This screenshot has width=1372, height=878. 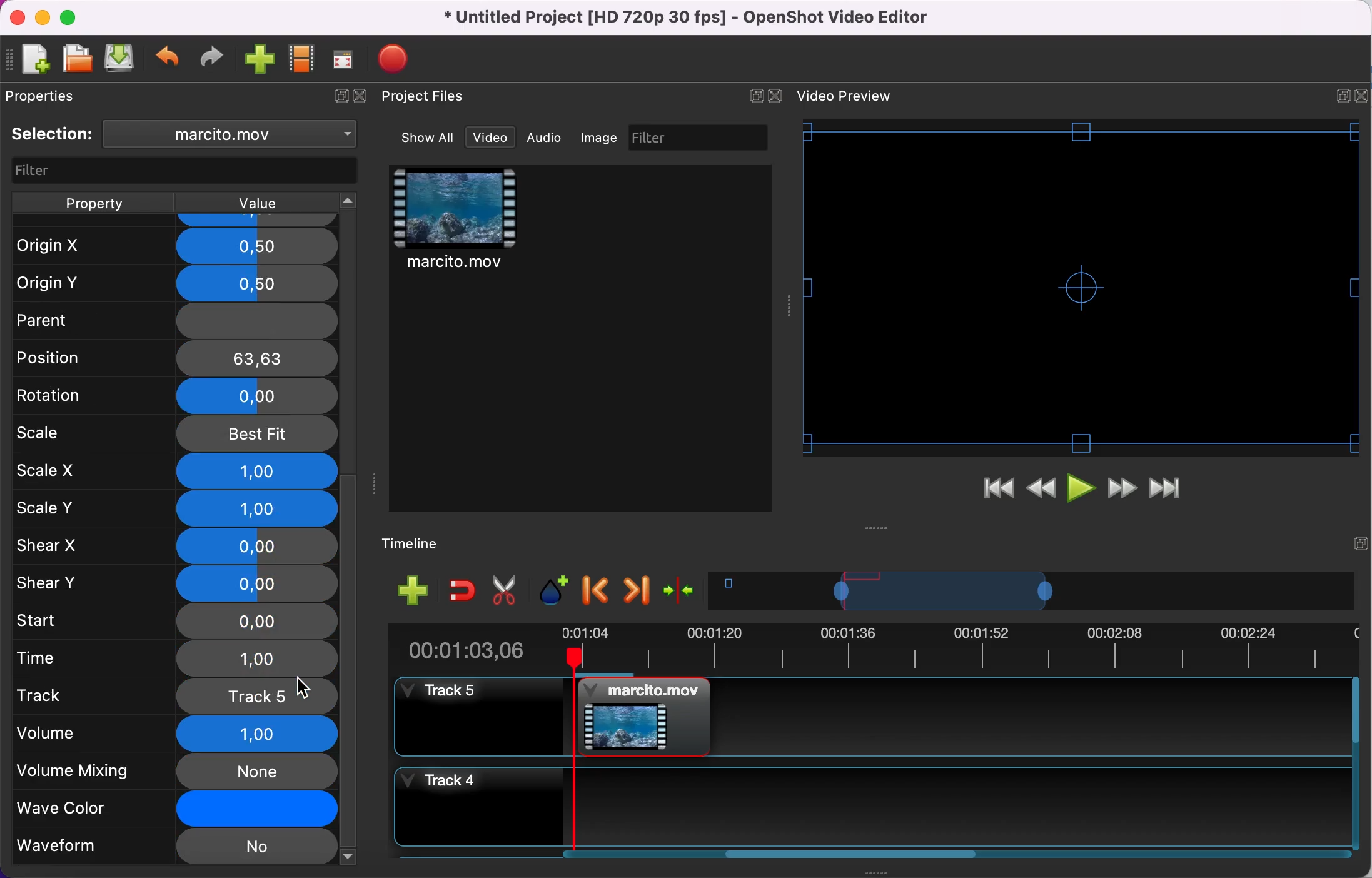 I want to click on Close, so click(x=774, y=96).